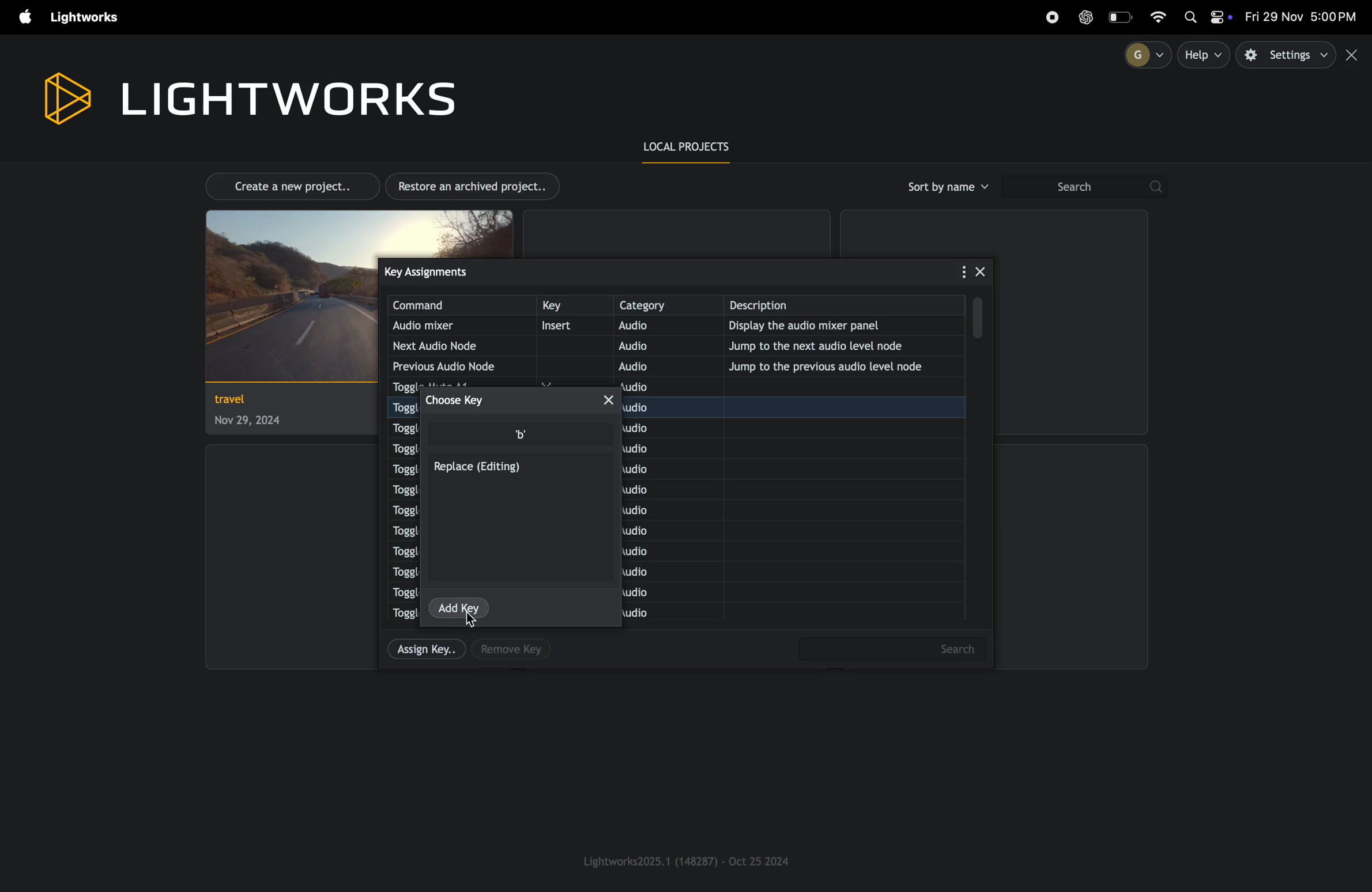 This screenshot has height=892, width=1372. Describe the element at coordinates (571, 306) in the screenshot. I see `key` at that location.